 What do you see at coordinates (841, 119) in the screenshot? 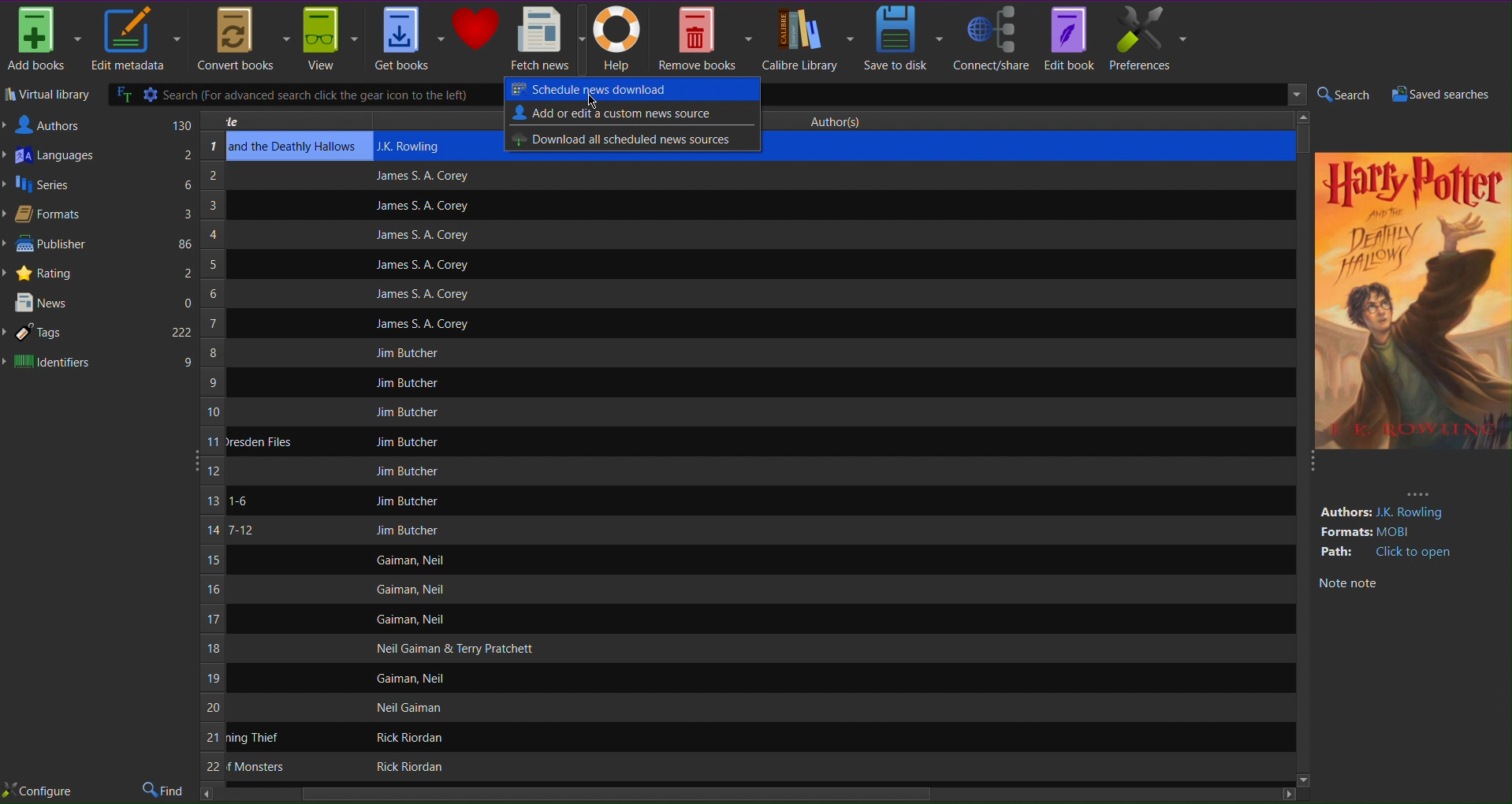
I see `Author` at bounding box center [841, 119].